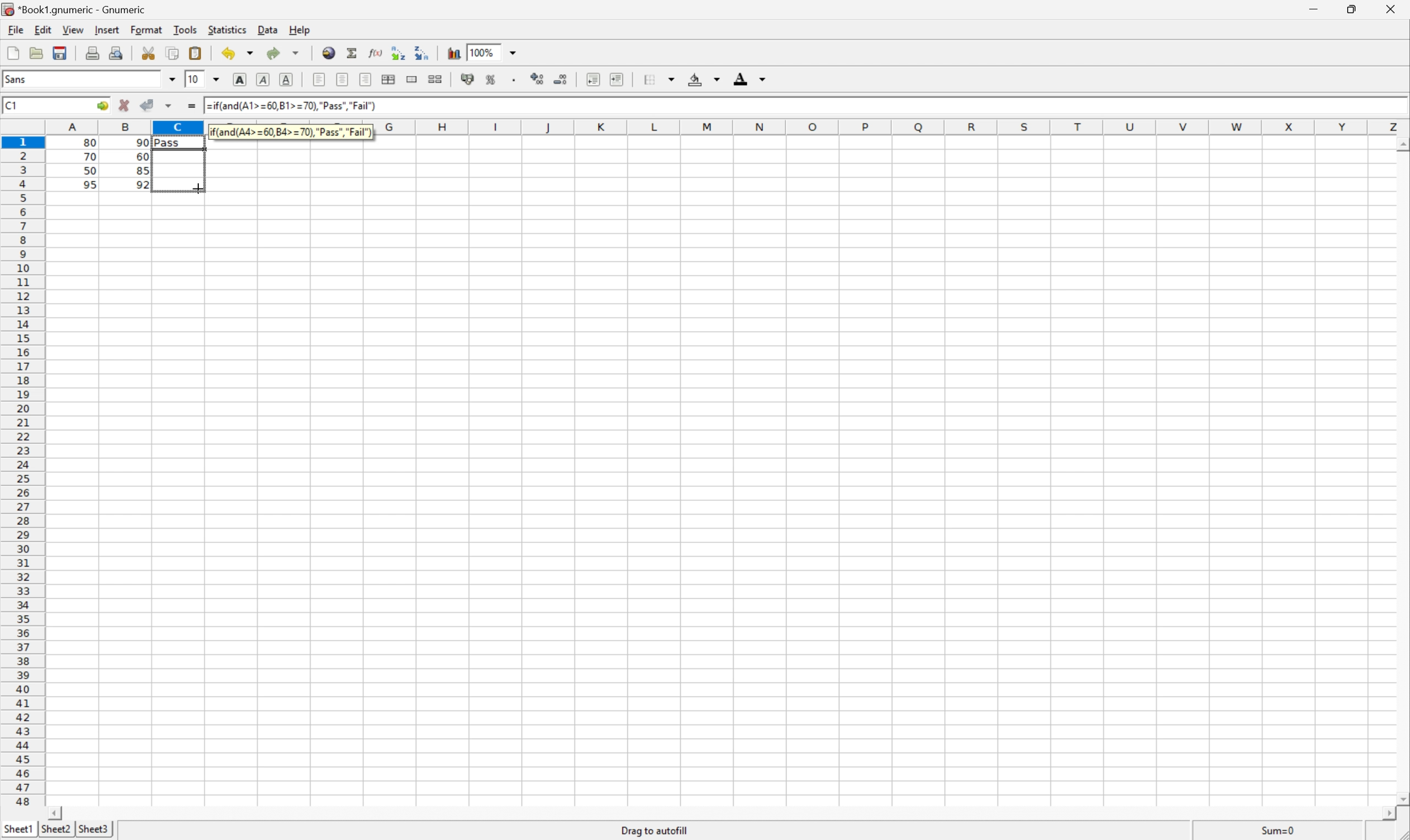 The width and height of the screenshot is (1410, 840). What do you see at coordinates (367, 79) in the screenshot?
I see `Align left` at bounding box center [367, 79].